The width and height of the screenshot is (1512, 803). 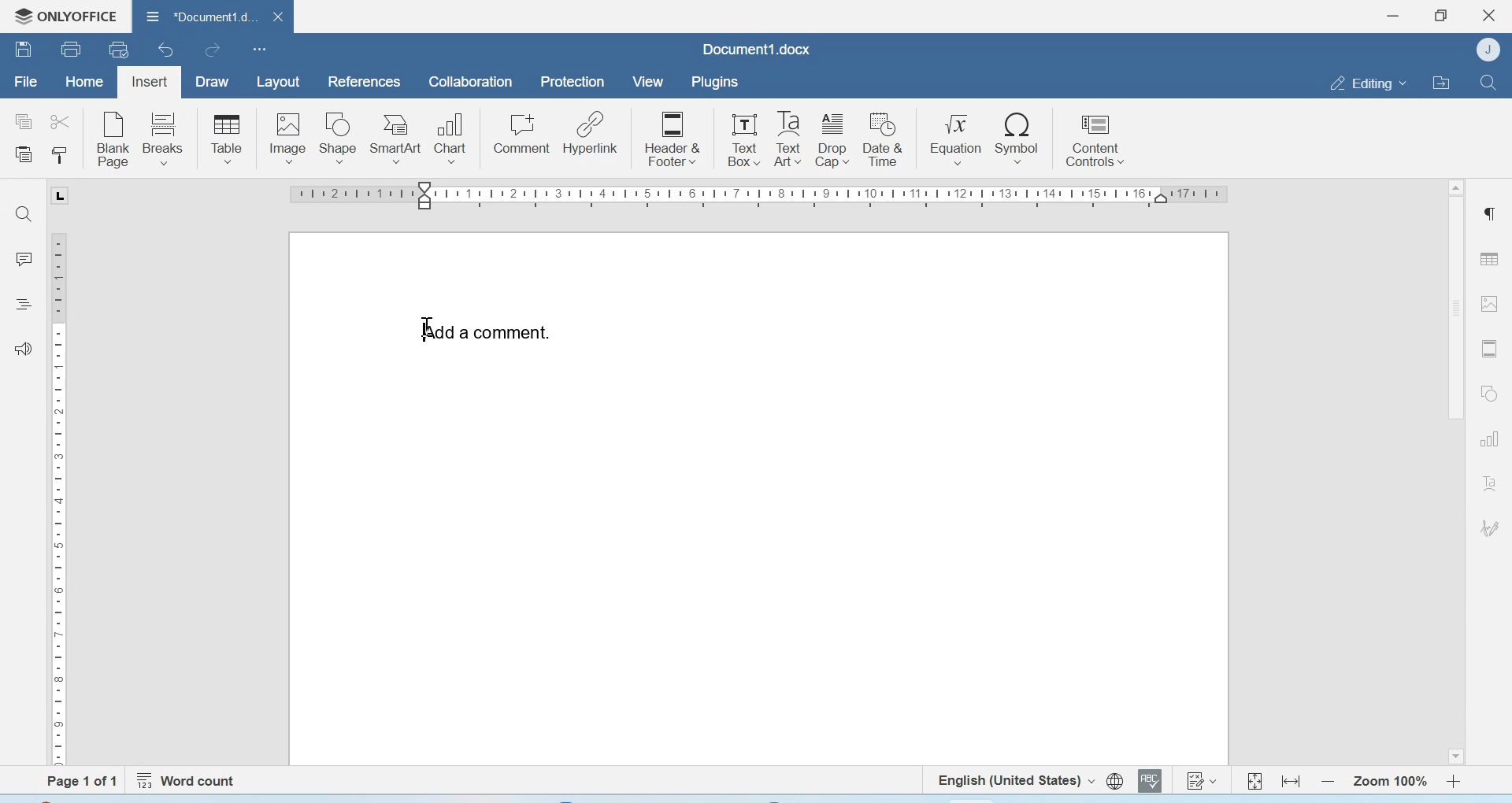 What do you see at coordinates (1491, 16) in the screenshot?
I see `Close` at bounding box center [1491, 16].